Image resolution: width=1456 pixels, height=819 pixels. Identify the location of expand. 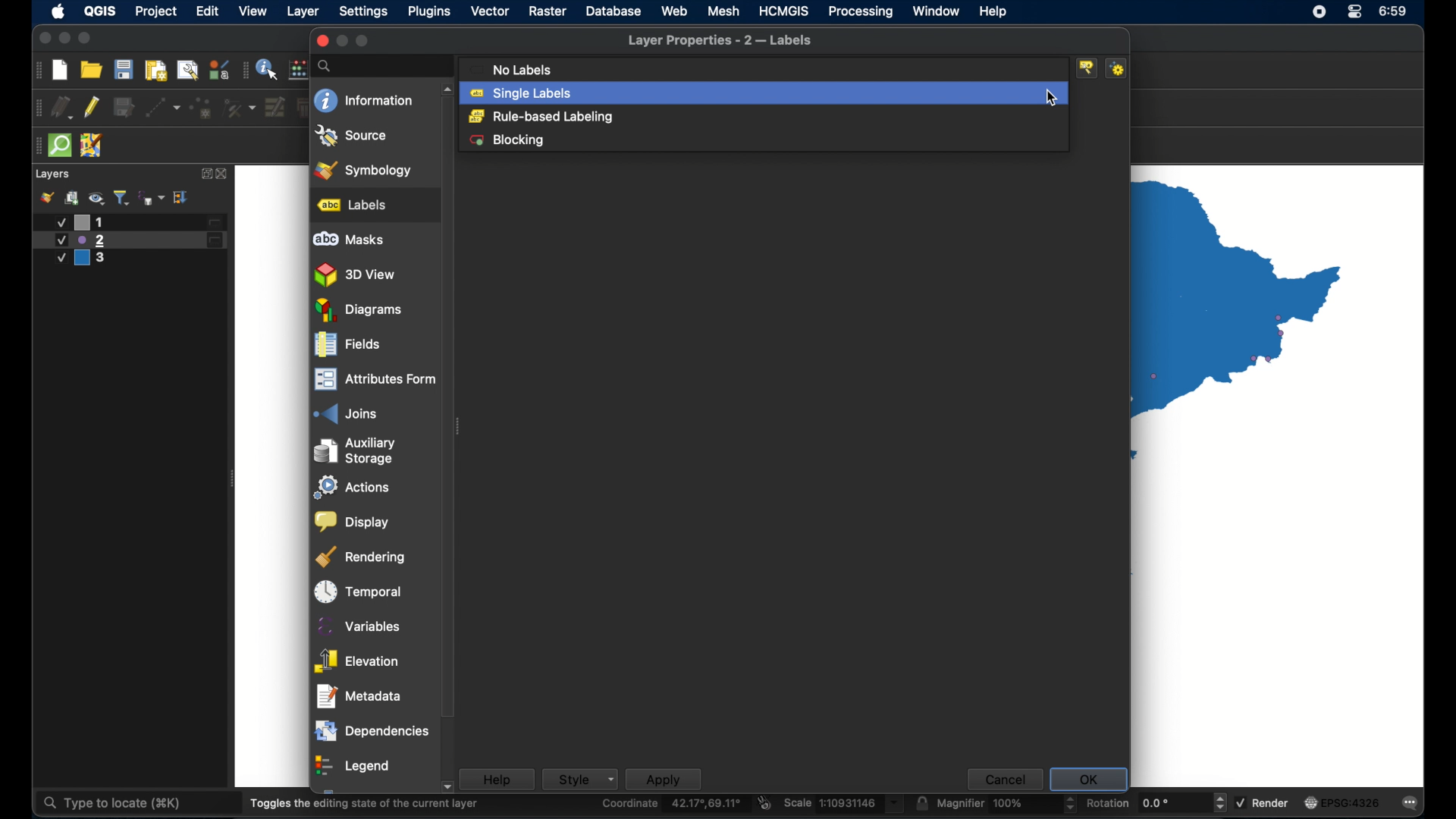
(204, 174).